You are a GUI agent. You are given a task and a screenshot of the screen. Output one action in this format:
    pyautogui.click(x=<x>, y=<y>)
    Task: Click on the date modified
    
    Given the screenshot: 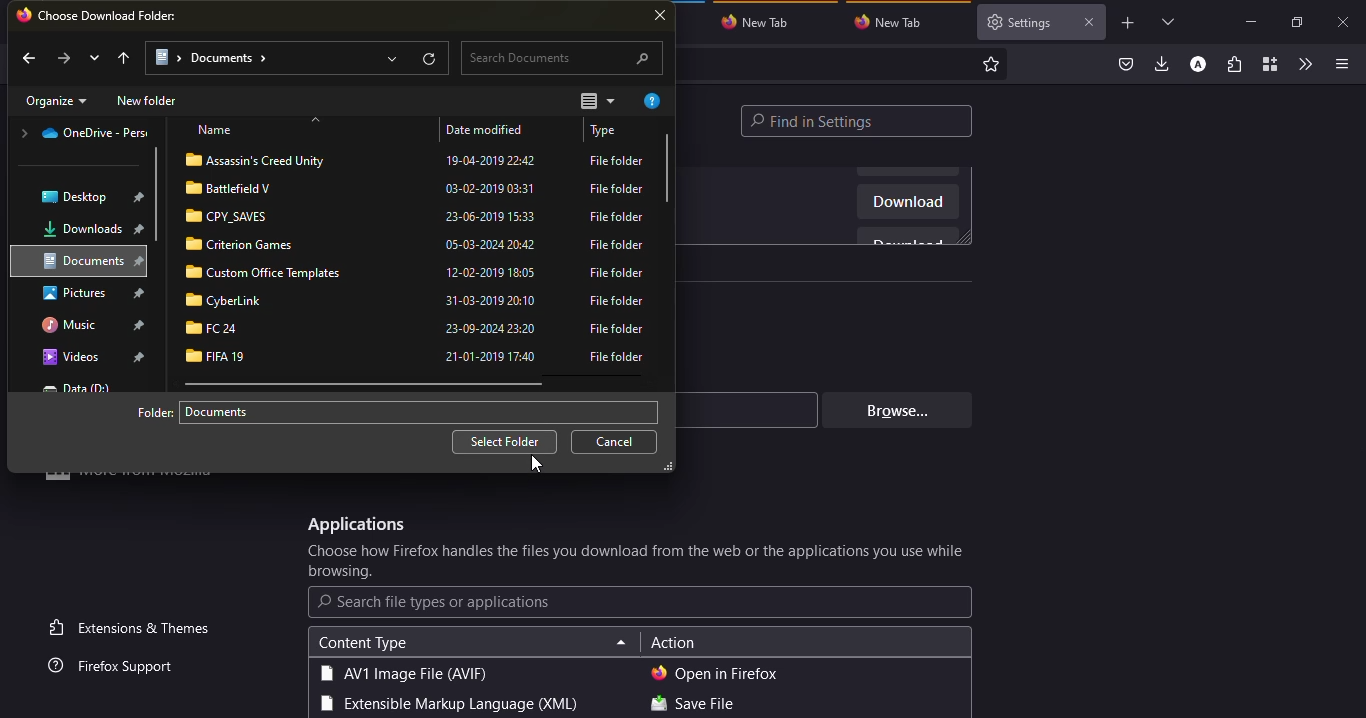 What is the action you would take?
    pyautogui.click(x=492, y=242)
    